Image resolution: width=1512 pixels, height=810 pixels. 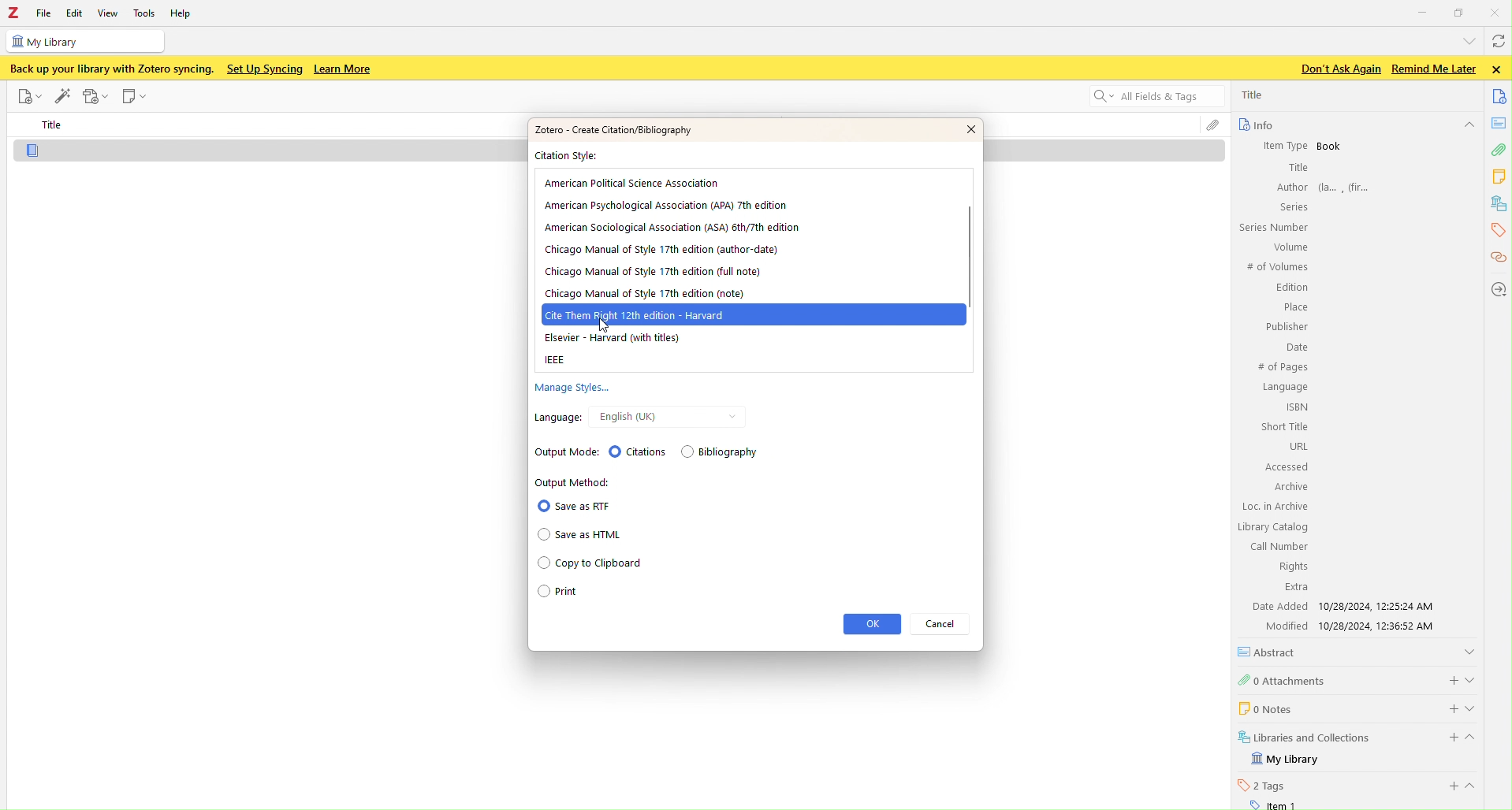 I want to click on cancel, so click(x=944, y=624).